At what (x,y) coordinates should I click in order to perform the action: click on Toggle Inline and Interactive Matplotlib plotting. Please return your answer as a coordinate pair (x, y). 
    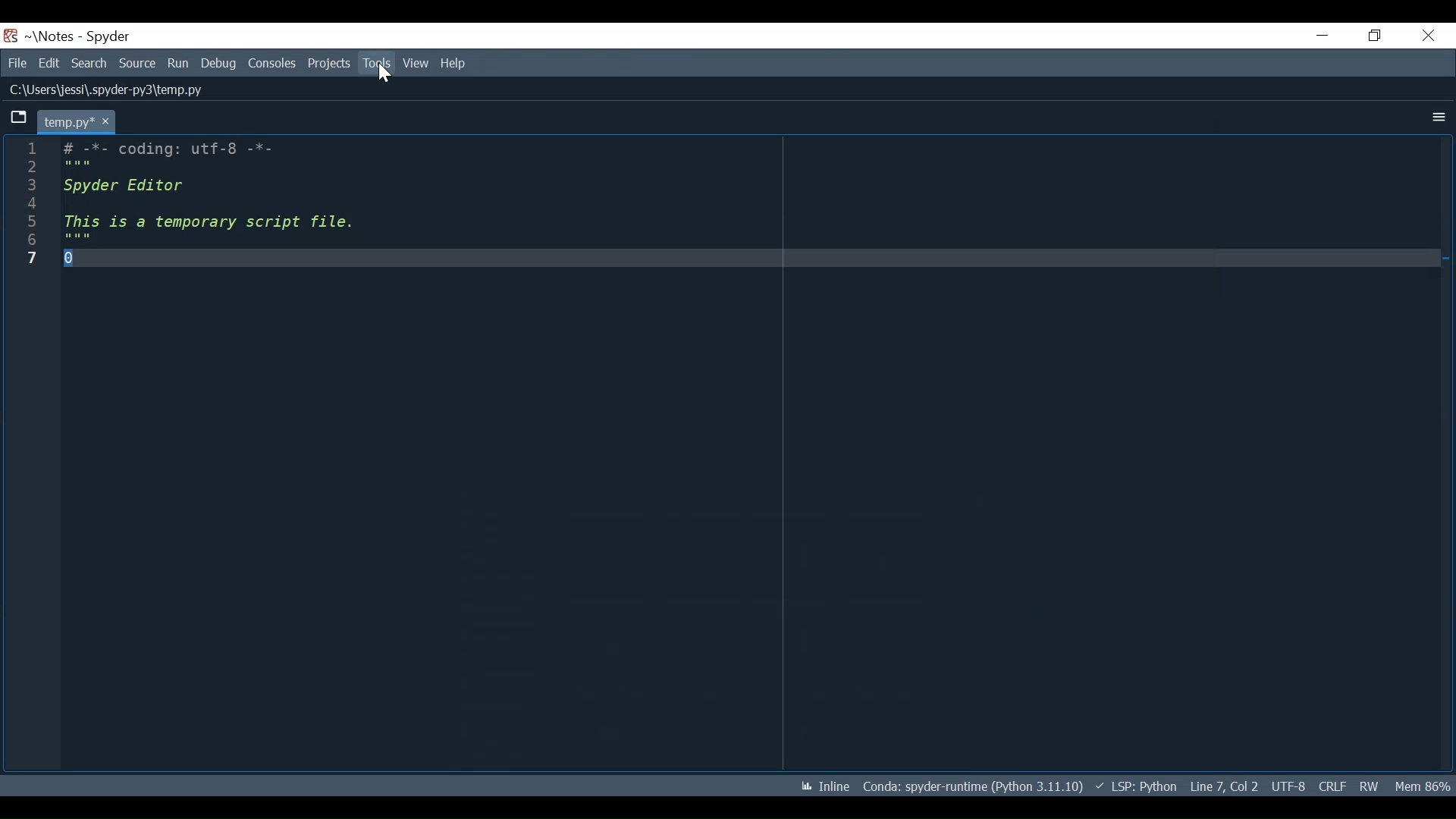
    Looking at the image, I should click on (821, 785).